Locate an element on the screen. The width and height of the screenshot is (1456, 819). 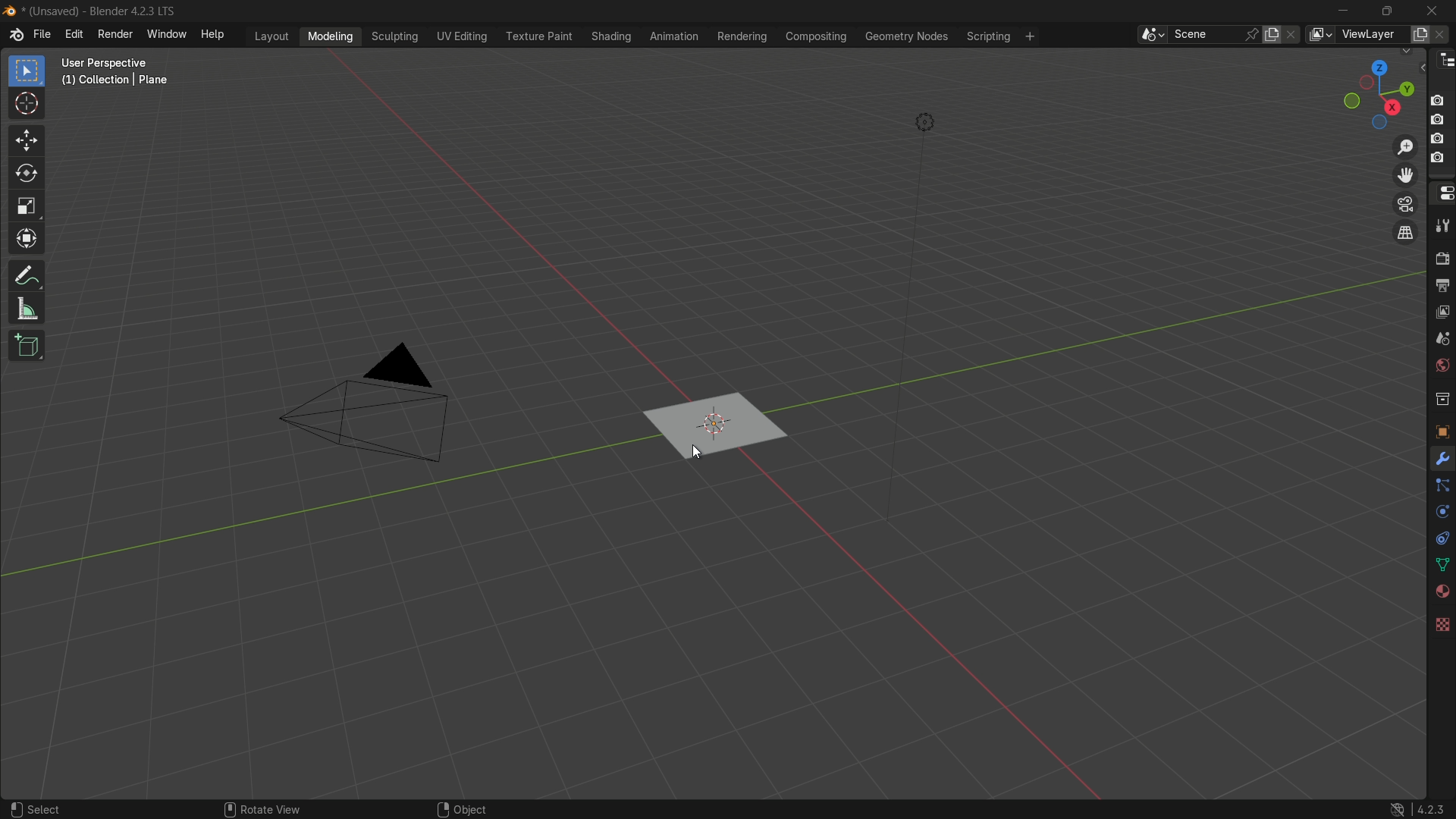
move is located at coordinates (29, 141).